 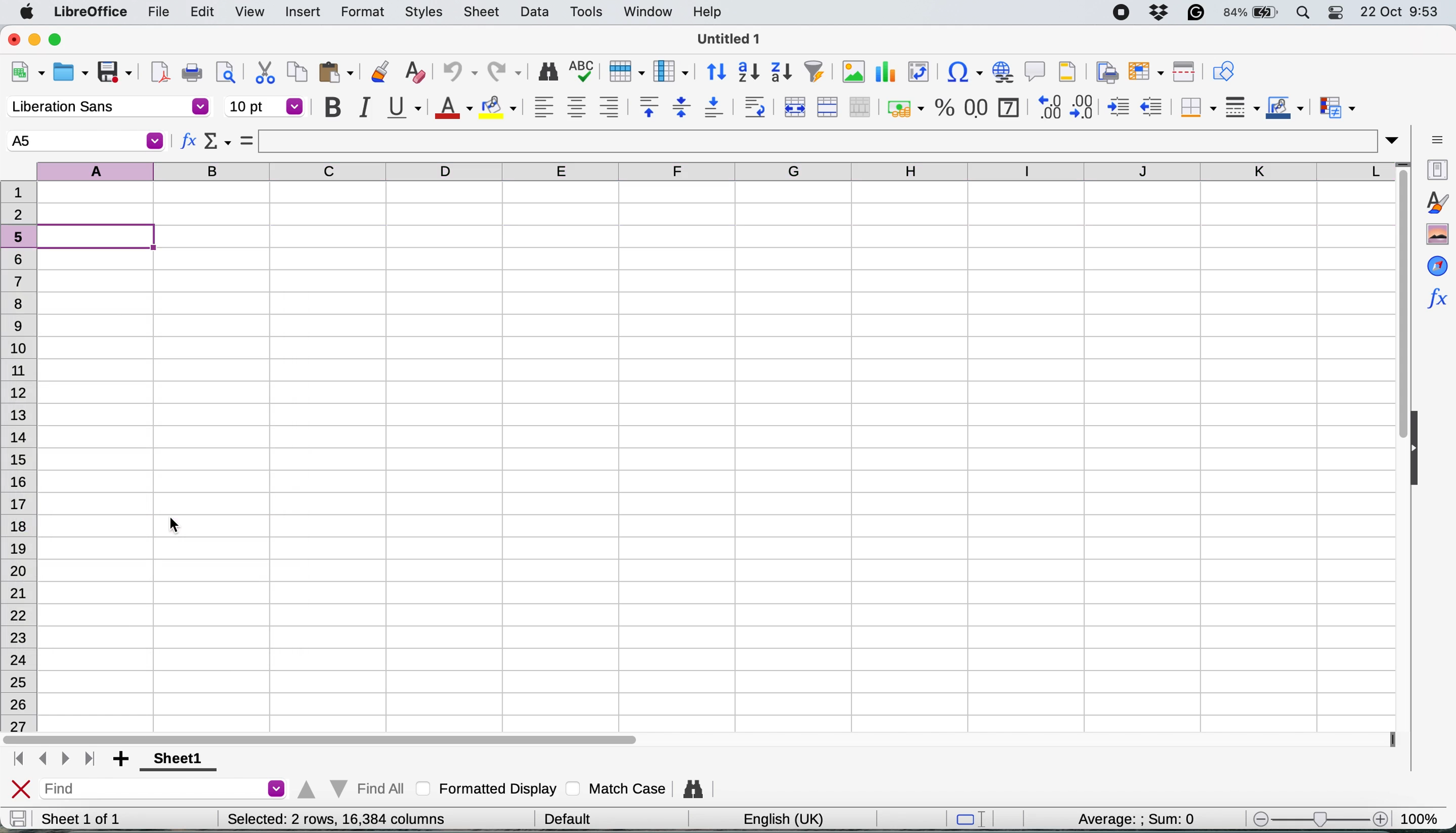 What do you see at coordinates (1319, 819) in the screenshot?
I see `zoom scale` at bounding box center [1319, 819].